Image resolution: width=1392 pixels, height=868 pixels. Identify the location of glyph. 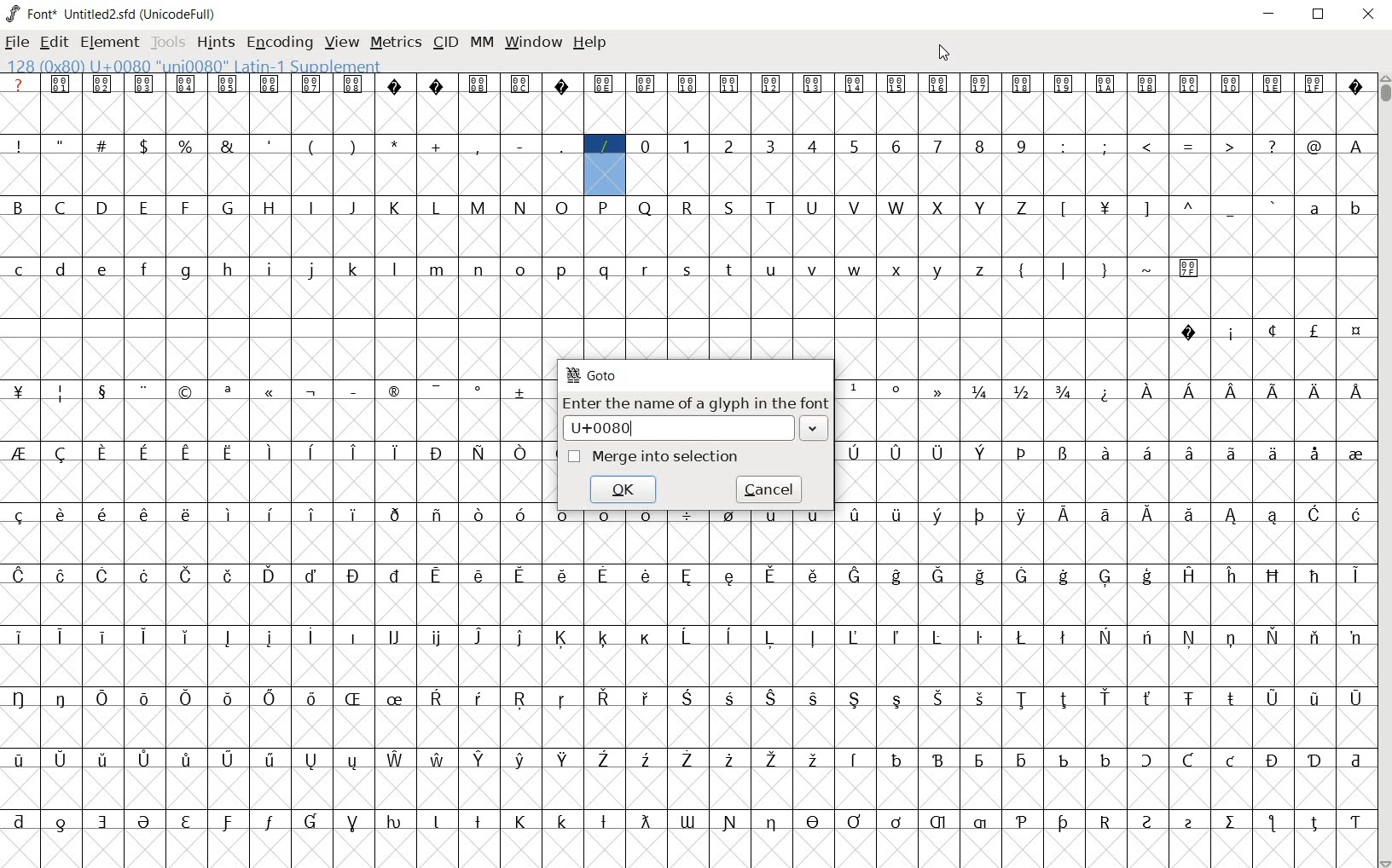
(102, 206).